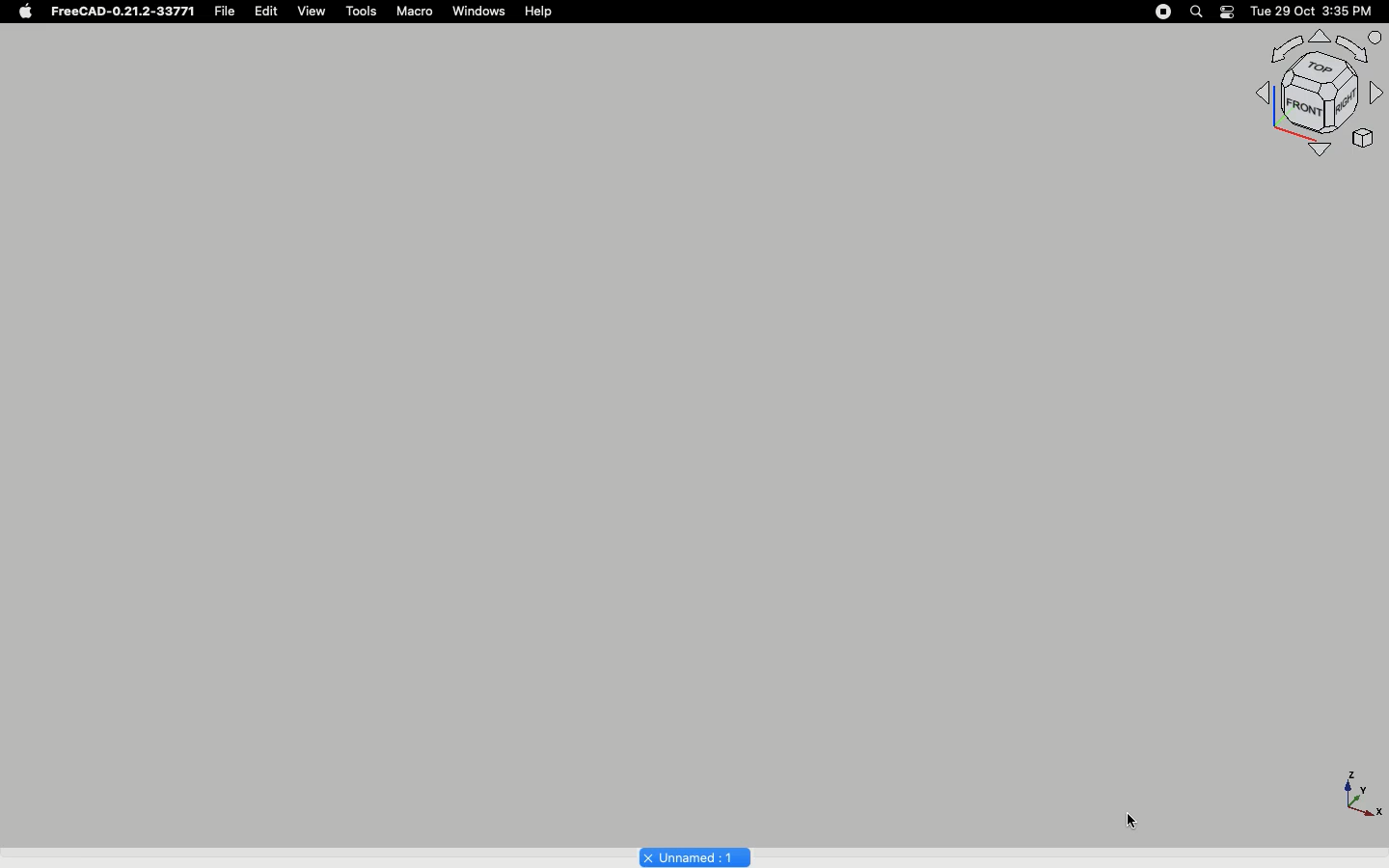 Image resolution: width=1389 pixels, height=868 pixels. What do you see at coordinates (1314, 99) in the screenshot?
I see `Visualizer` at bounding box center [1314, 99].